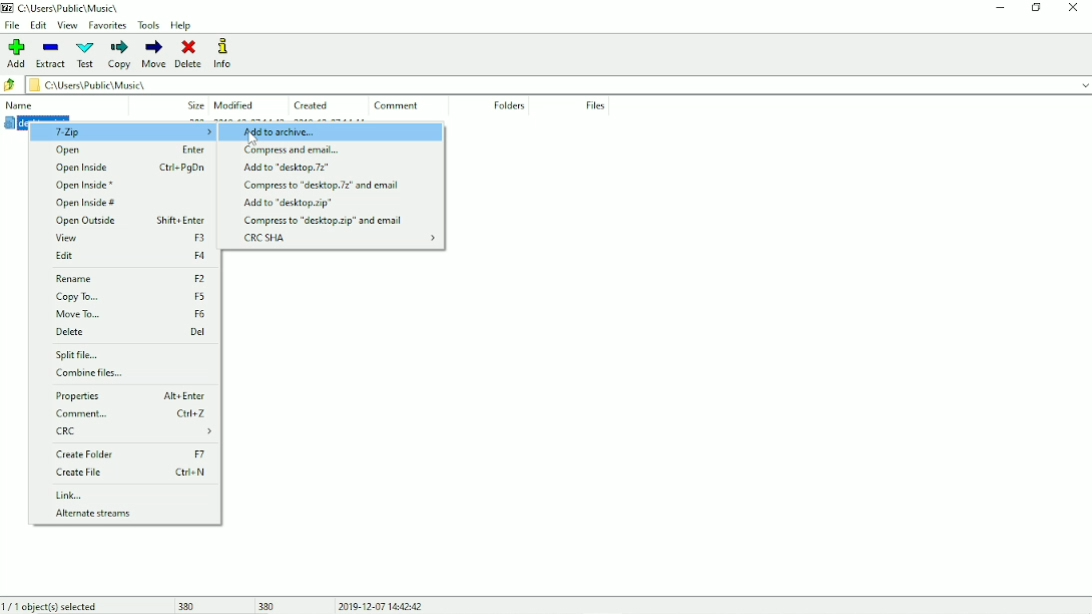 Image resolution: width=1092 pixels, height=614 pixels. I want to click on 380, so click(184, 606).